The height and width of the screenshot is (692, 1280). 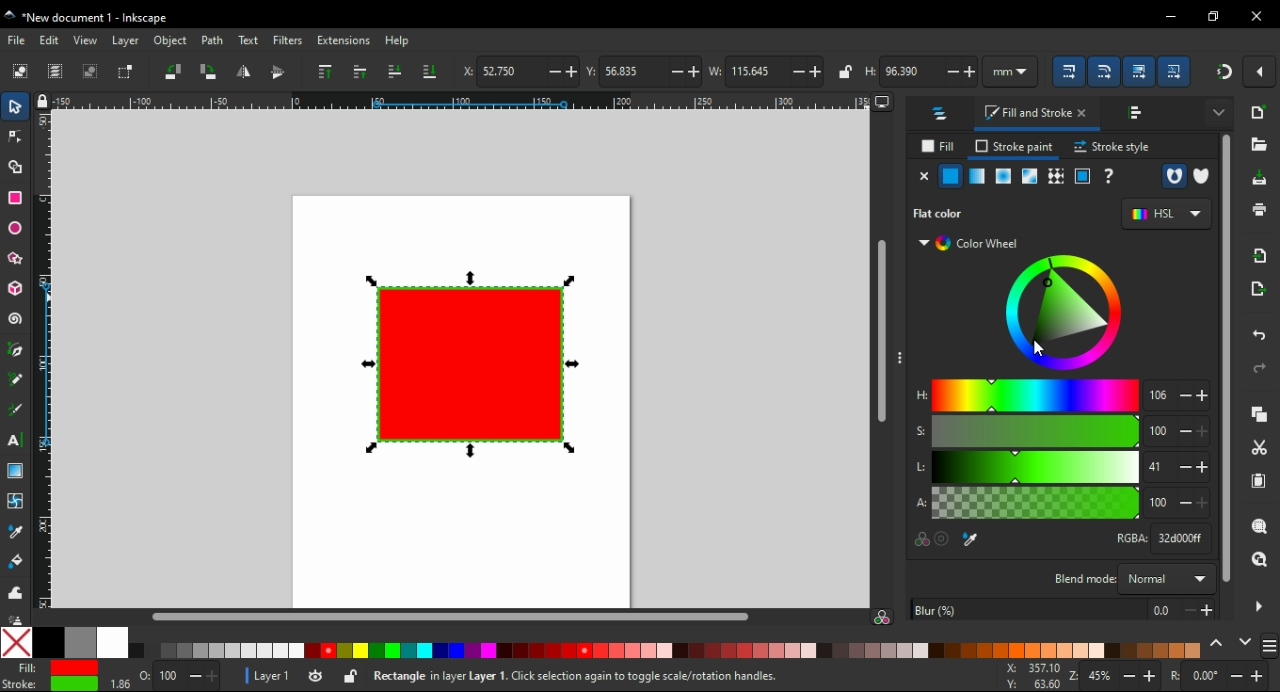 What do you see at coordinates (174, 72) in the screenshot?
I see `object rotate 90 CCW ` at bounding box center [174, 72].